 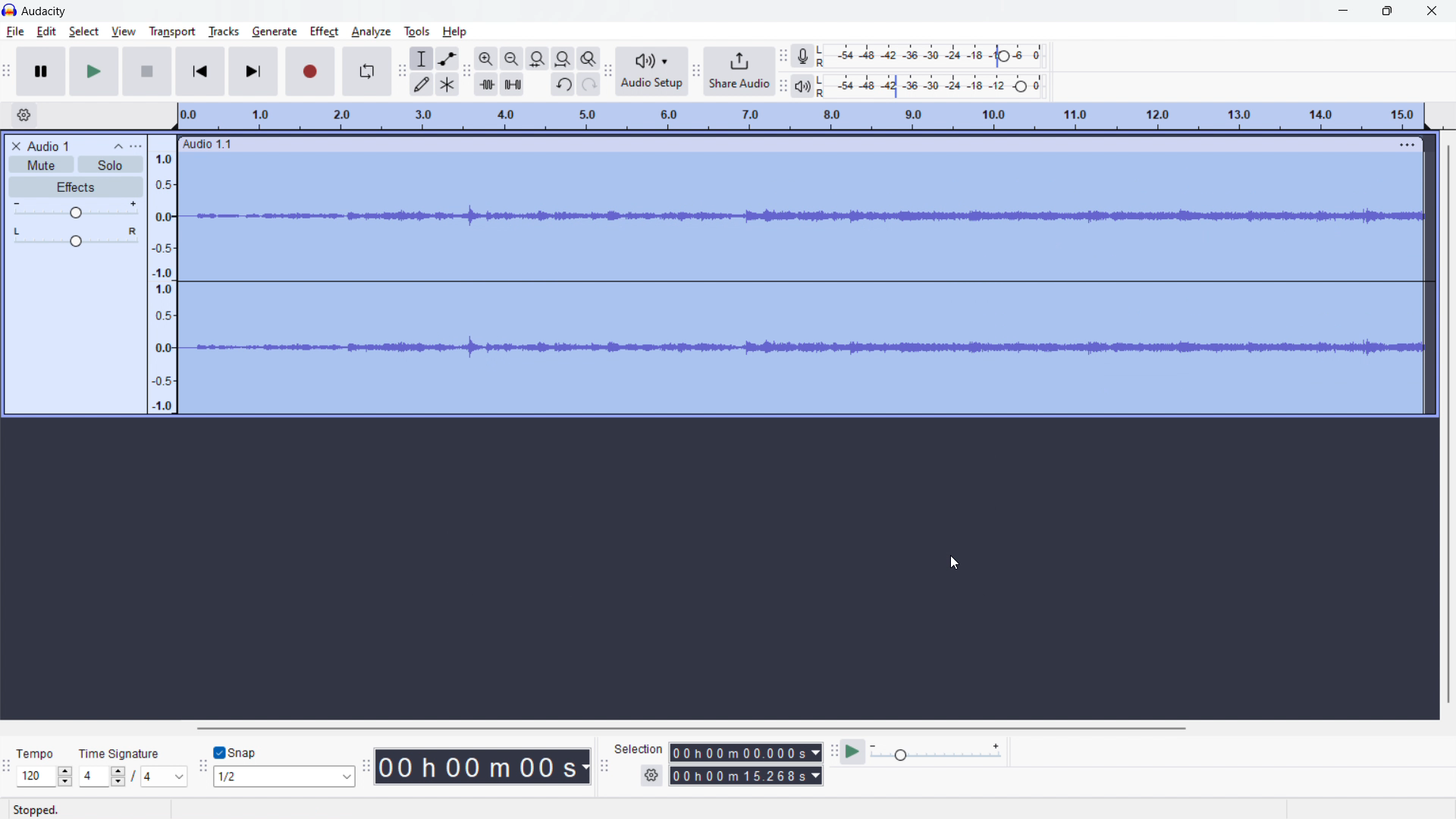 I want to click on recording meter, so click(x=808, y=55).